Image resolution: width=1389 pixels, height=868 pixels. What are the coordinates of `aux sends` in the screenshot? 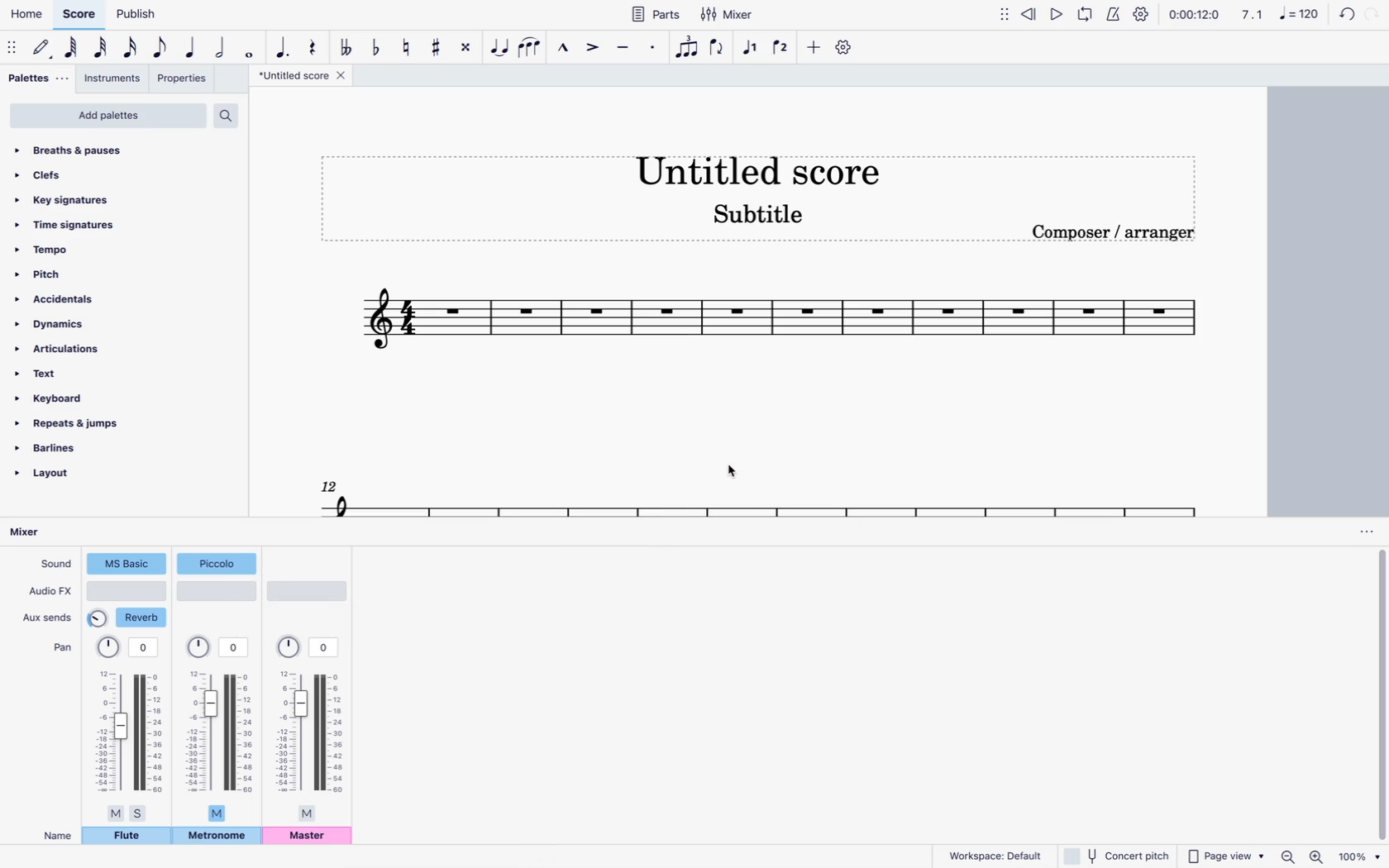 It's located at (50, 617).